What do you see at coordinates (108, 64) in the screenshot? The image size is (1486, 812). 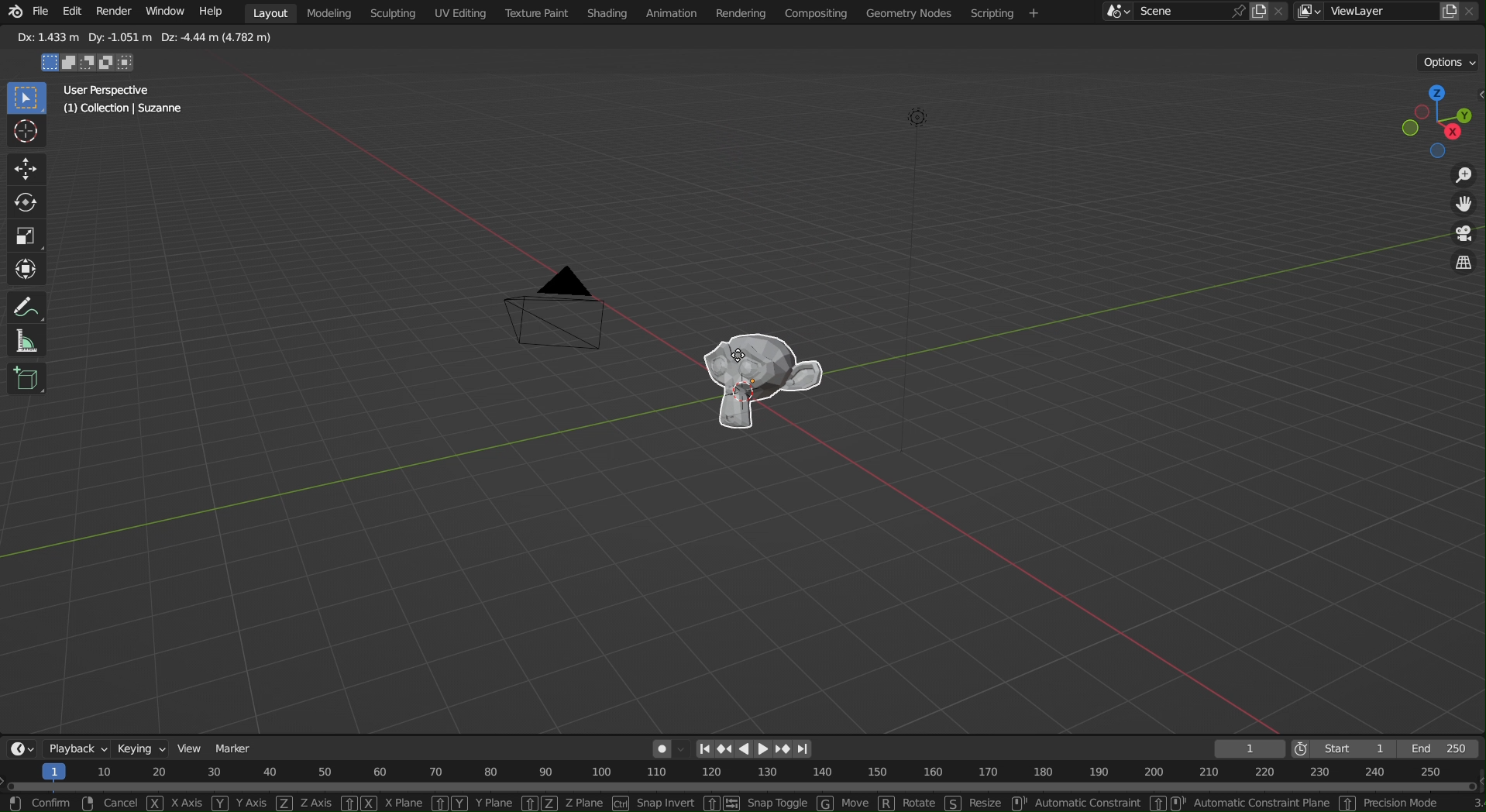 I see `invert existing selection` at bounding box center [108, 64].